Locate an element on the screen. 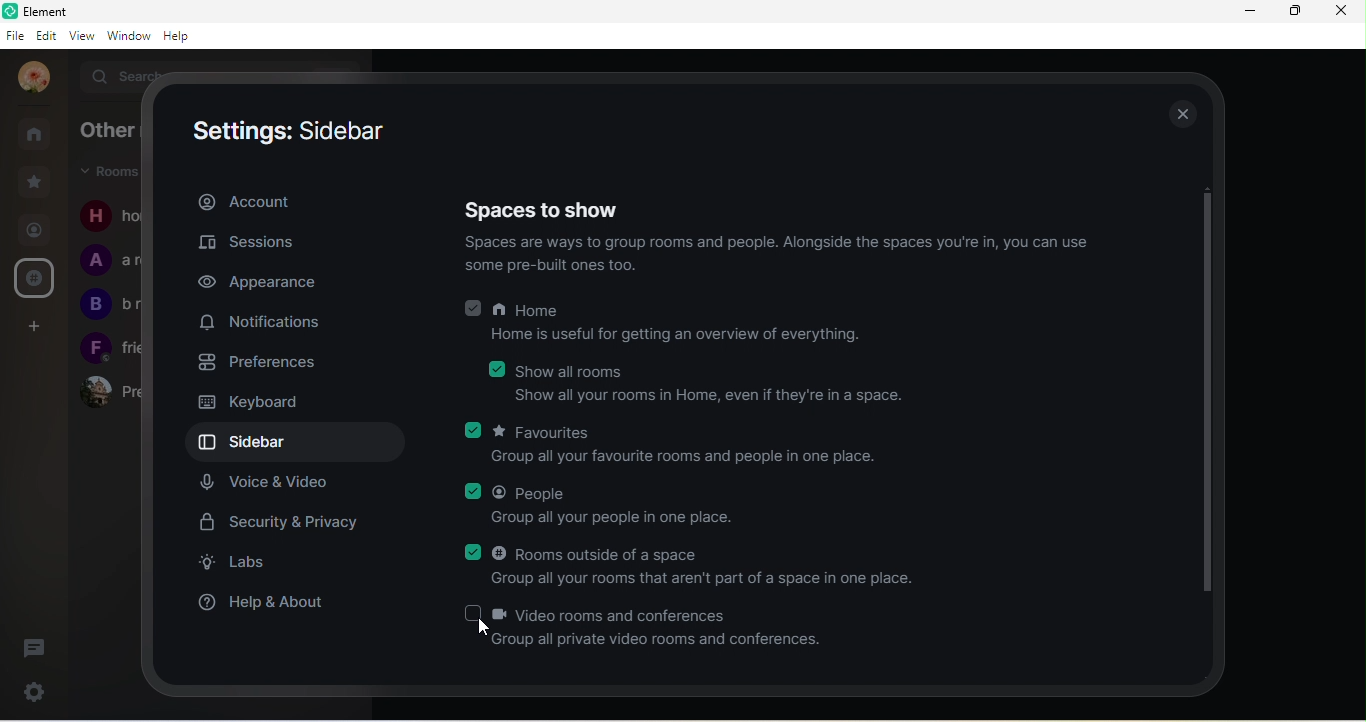 The height and width of the screenshot is (722, 1366). vertical scroll bar is located at coordinates (1207, 389).